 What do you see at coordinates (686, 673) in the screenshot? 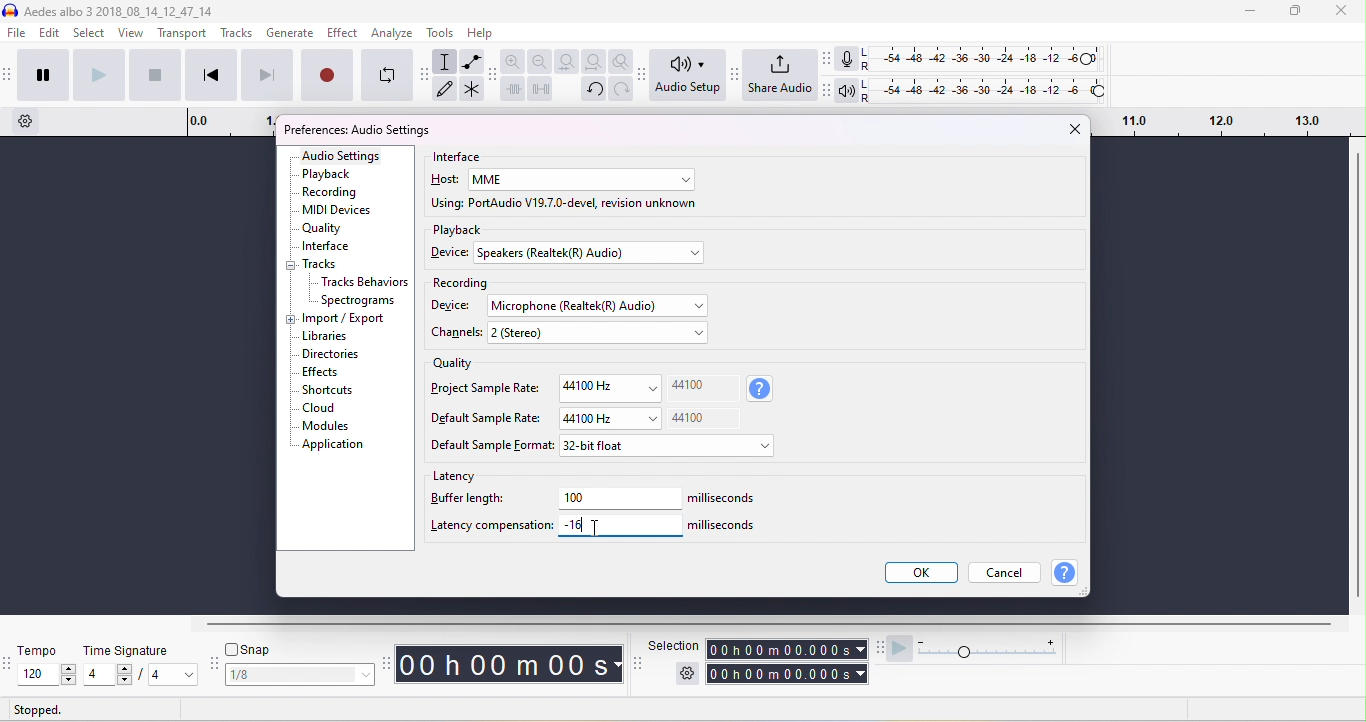
I see `selection settings` at bounding box center [686, 673].